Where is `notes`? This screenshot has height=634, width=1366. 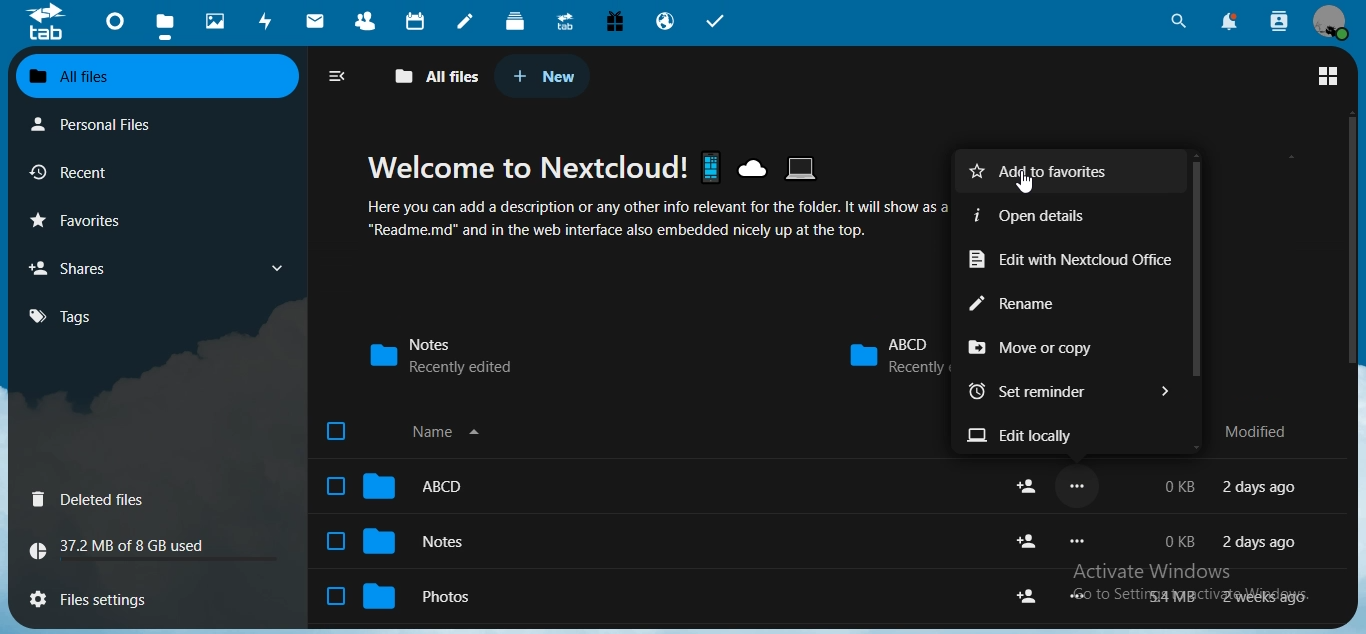 notes is located at coordinates (468, 20).